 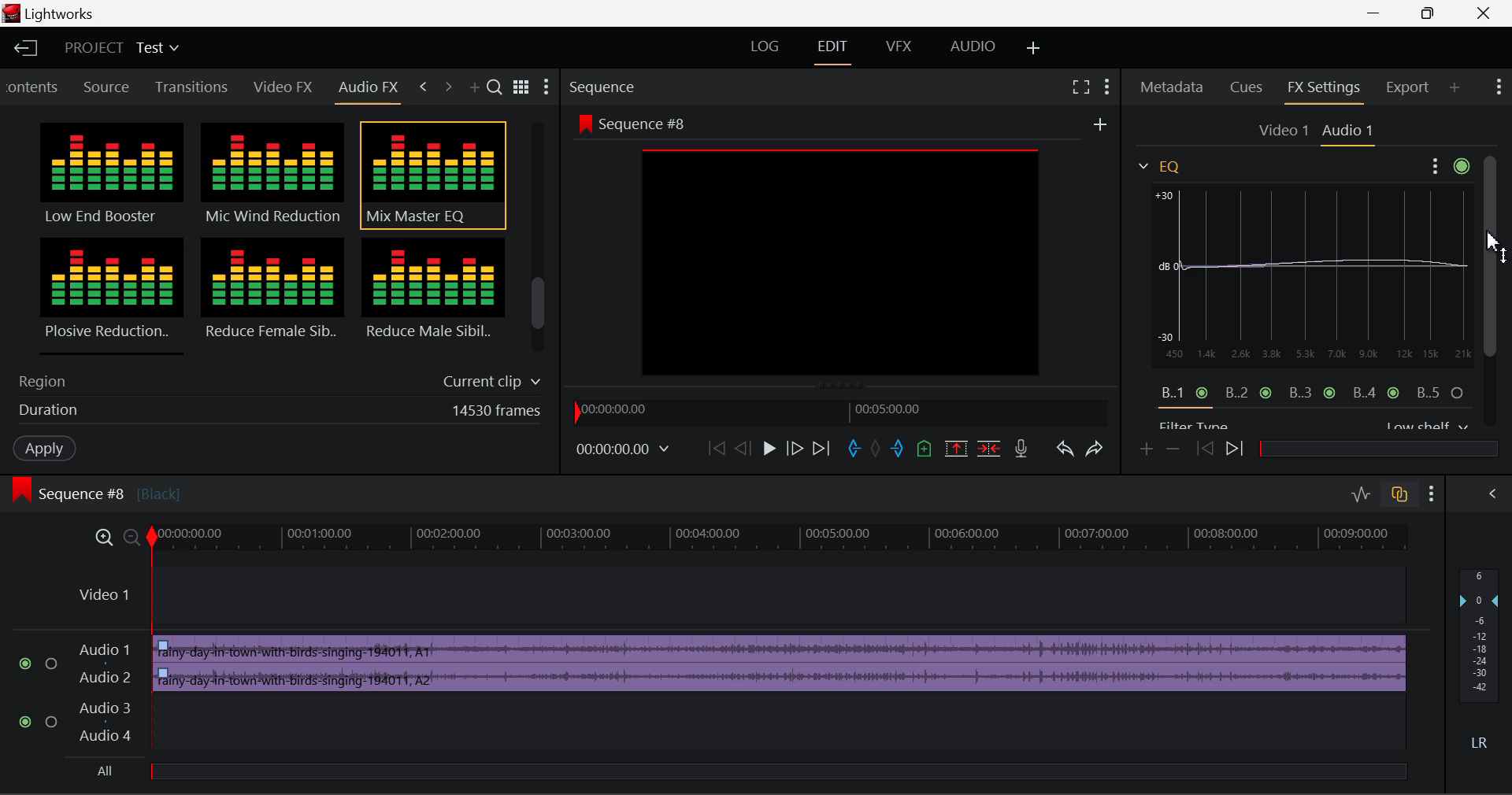 I want to click on Show Settings, so click(x=1497, y=84).